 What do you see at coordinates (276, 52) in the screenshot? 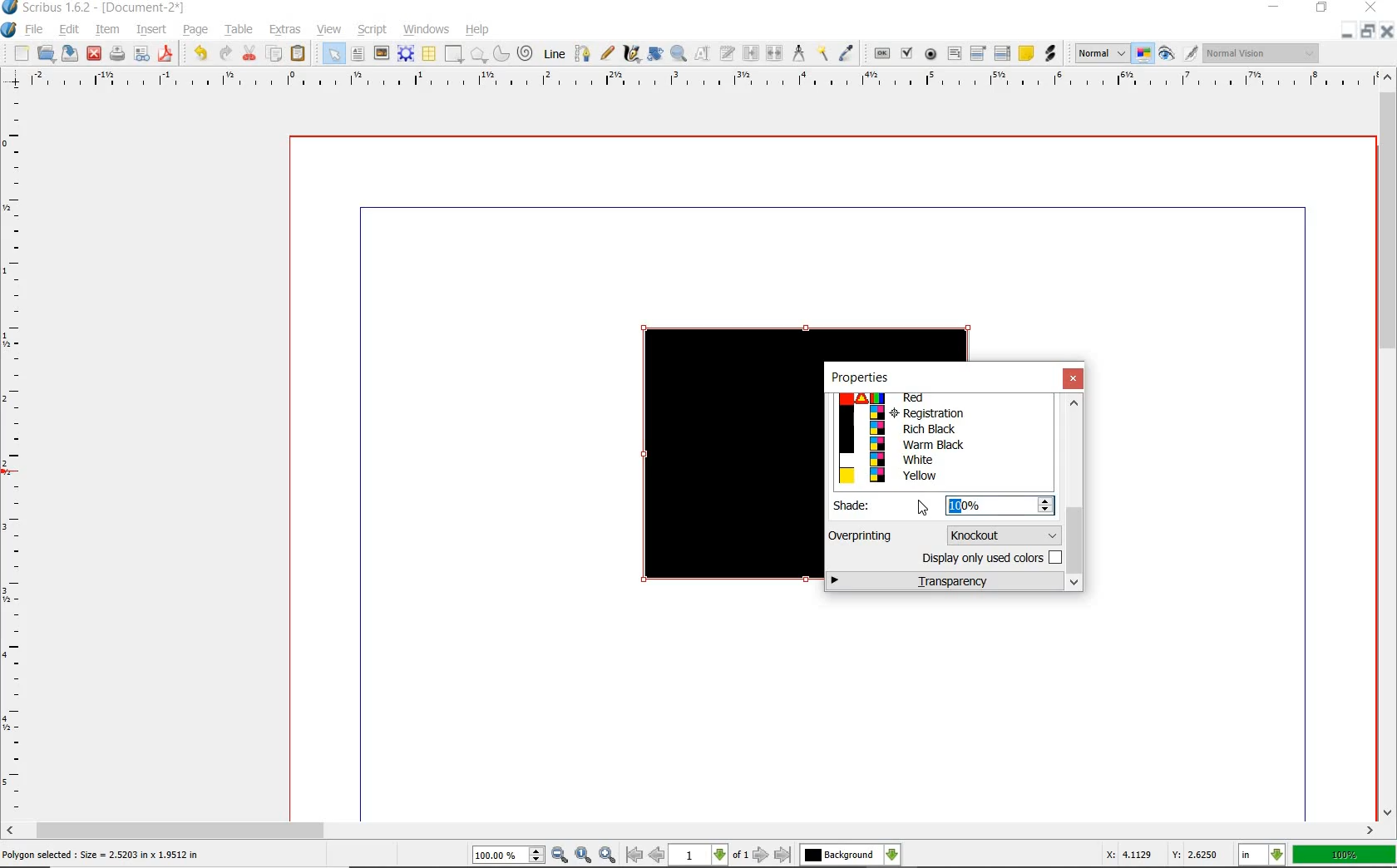
I see `copy` at bounding box center [276, 52].